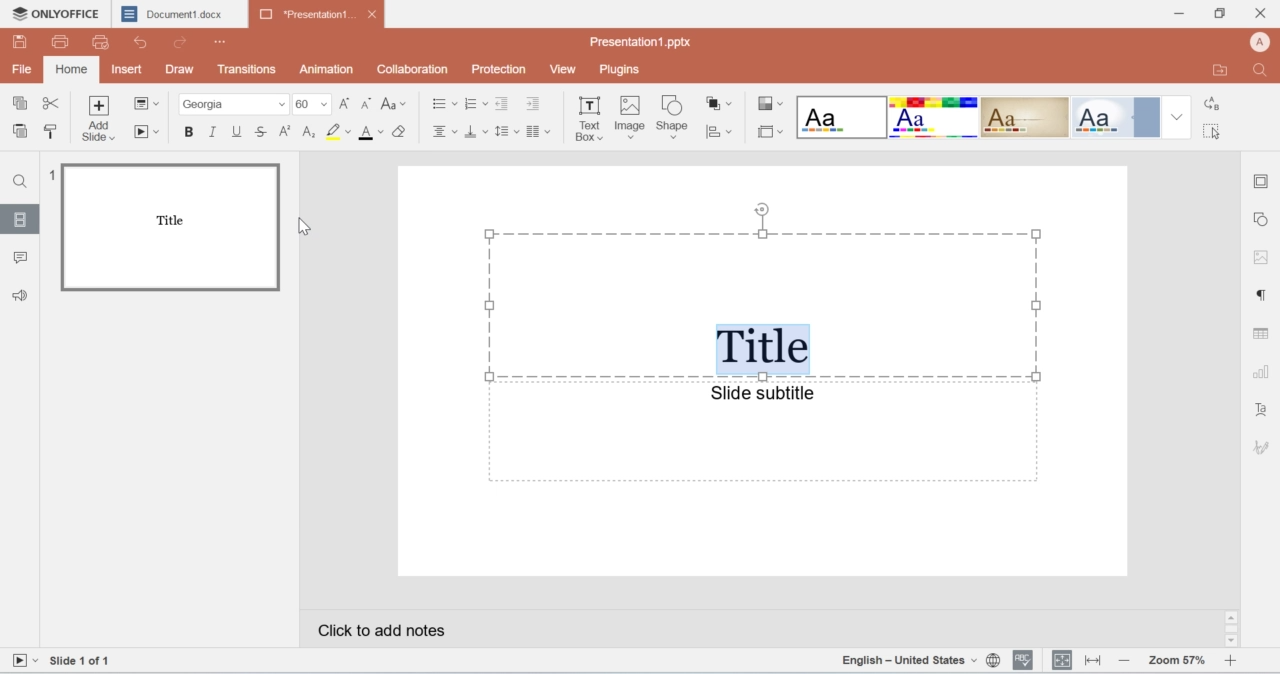 The height and width of the screenshot is (674, 1280). I want to click on Slide subtitle, so click(758, 394).